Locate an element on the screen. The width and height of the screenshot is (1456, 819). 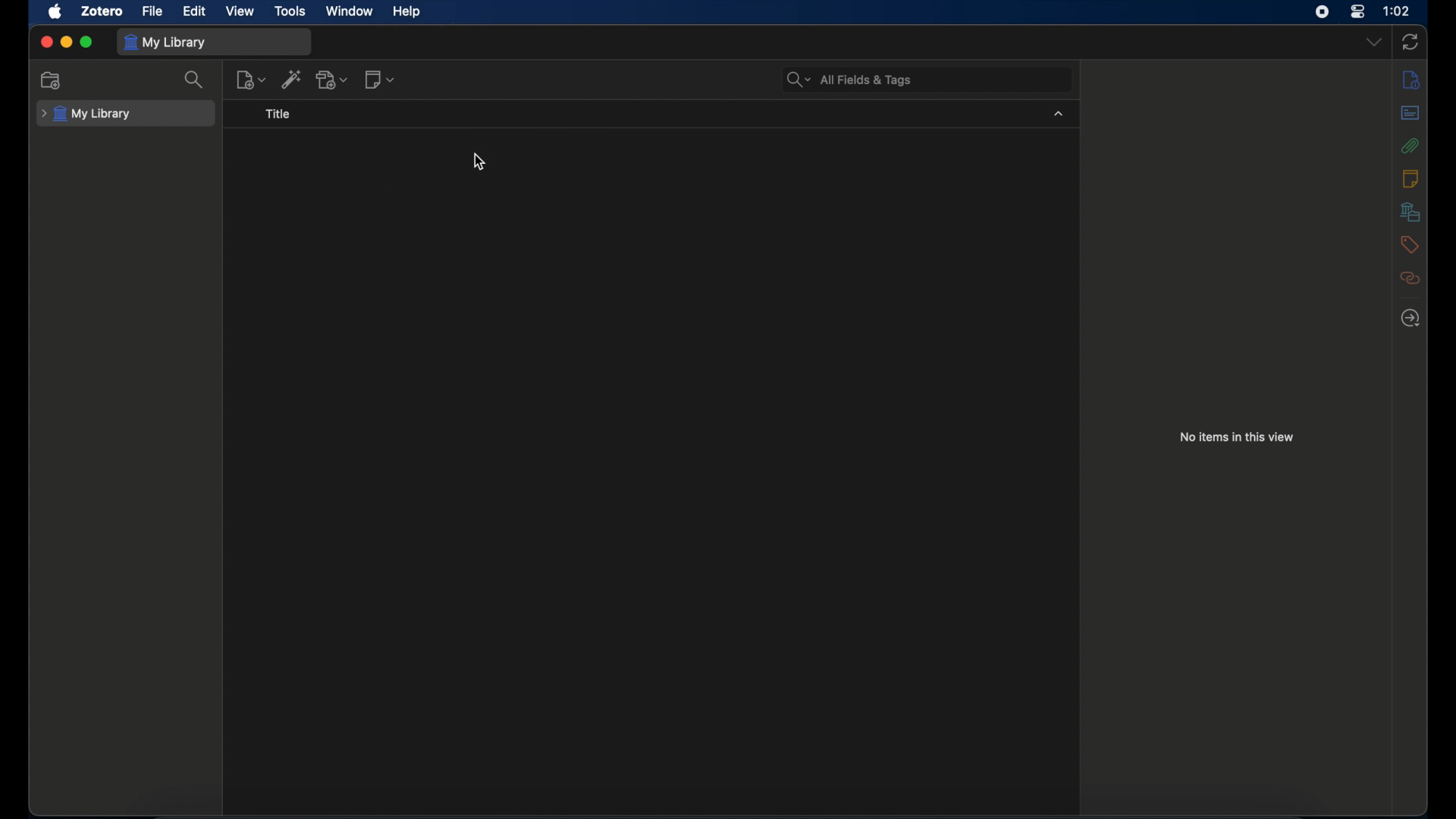
new item is located at coordinates (251, 80).